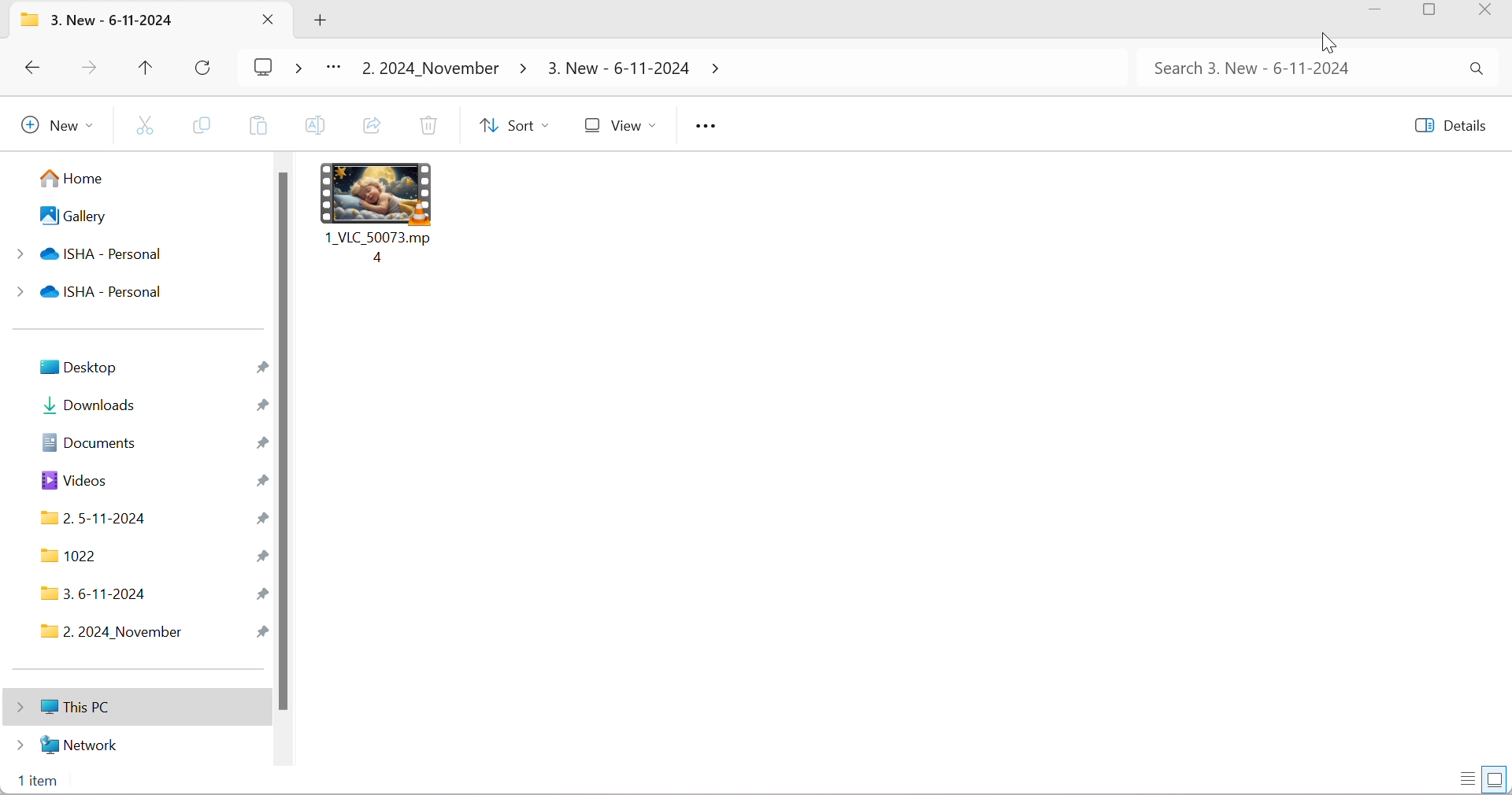 Image resolution: width=1512 pixels, height=795 pixels. Describe the element at coordinates (1448, 125) in the screenshot. I see `Details` at that location.